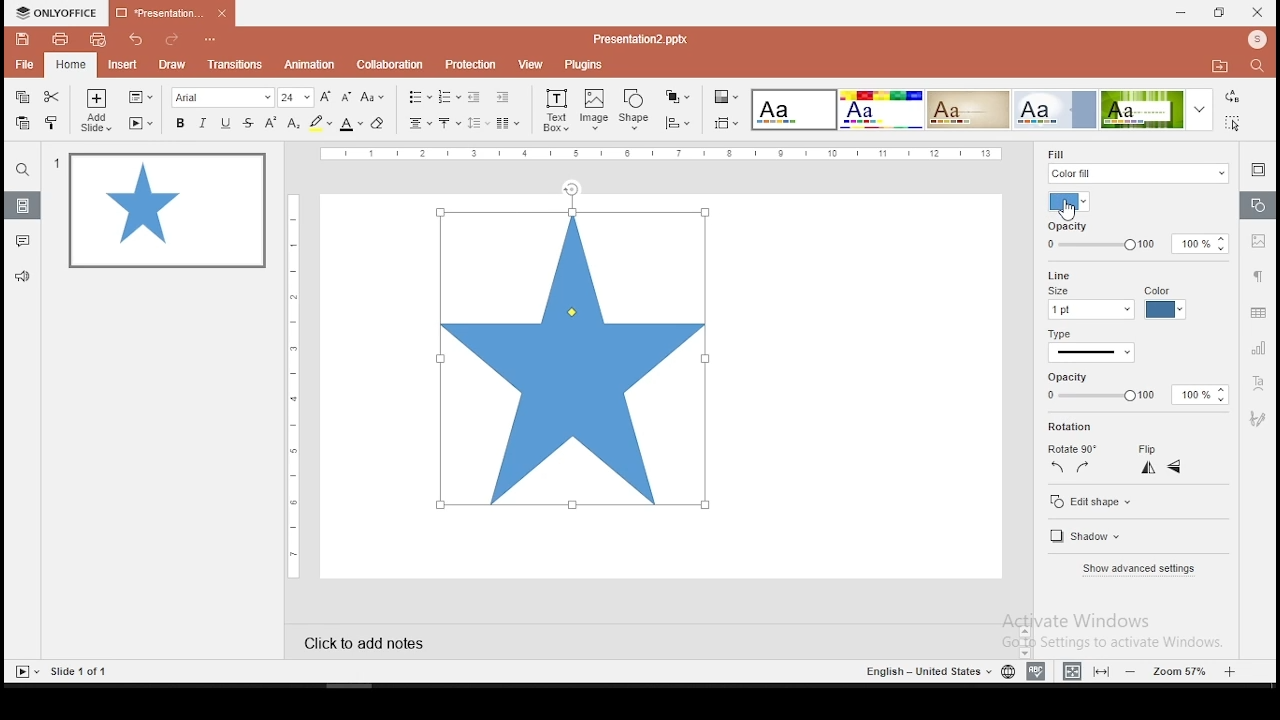 This screenshot has height=720, width=1280. What do you see at coordinates (389, 64) in the screenshot?
I see `collaboration` at bounding box center [389, 64].